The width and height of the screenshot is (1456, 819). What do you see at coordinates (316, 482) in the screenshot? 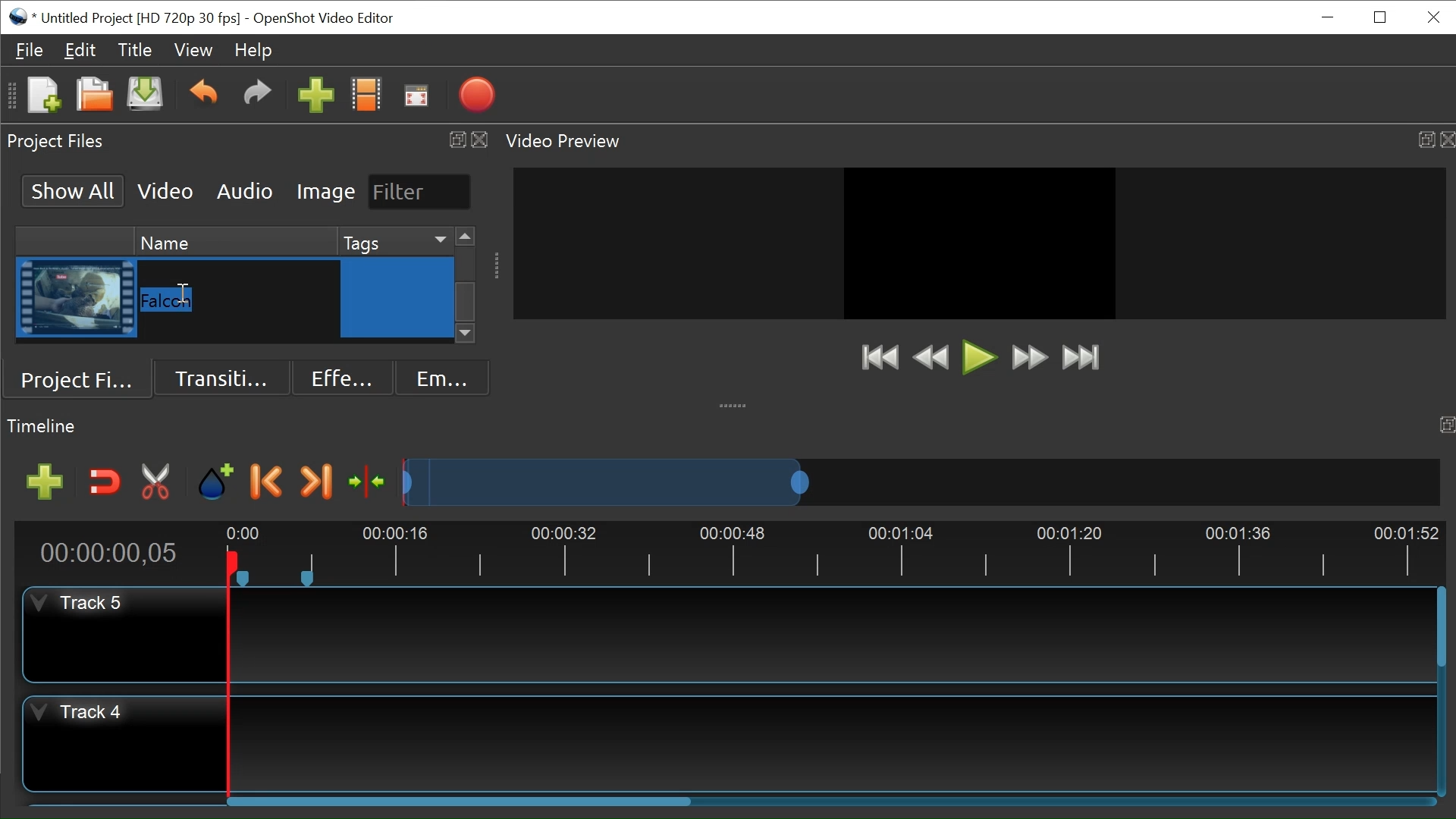
I see `Next Marker` at bounding box center [316, 482].